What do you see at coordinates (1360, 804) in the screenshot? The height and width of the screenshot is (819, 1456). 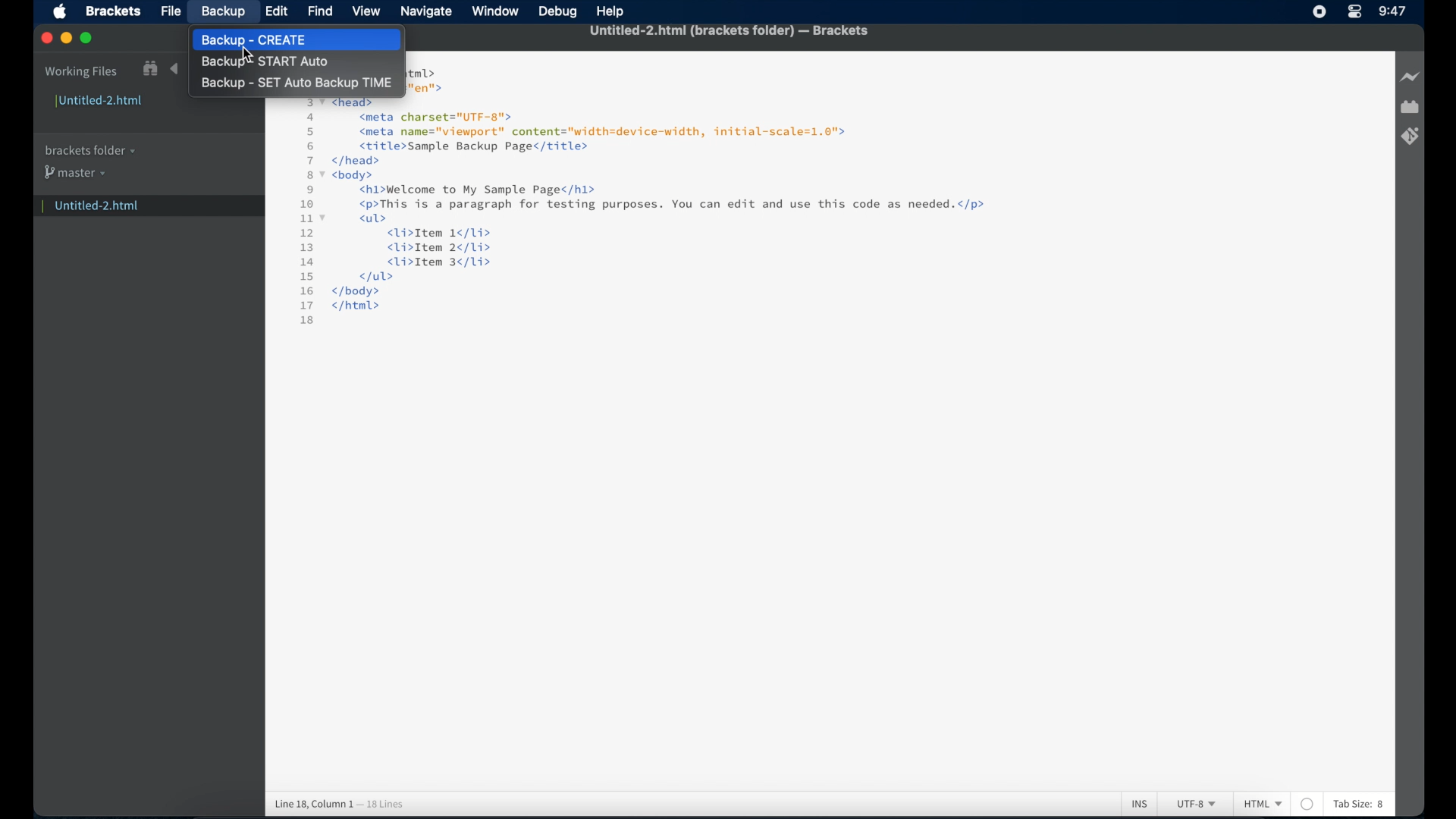 I see `tab size: 8` at bounding box center [1360, 804].